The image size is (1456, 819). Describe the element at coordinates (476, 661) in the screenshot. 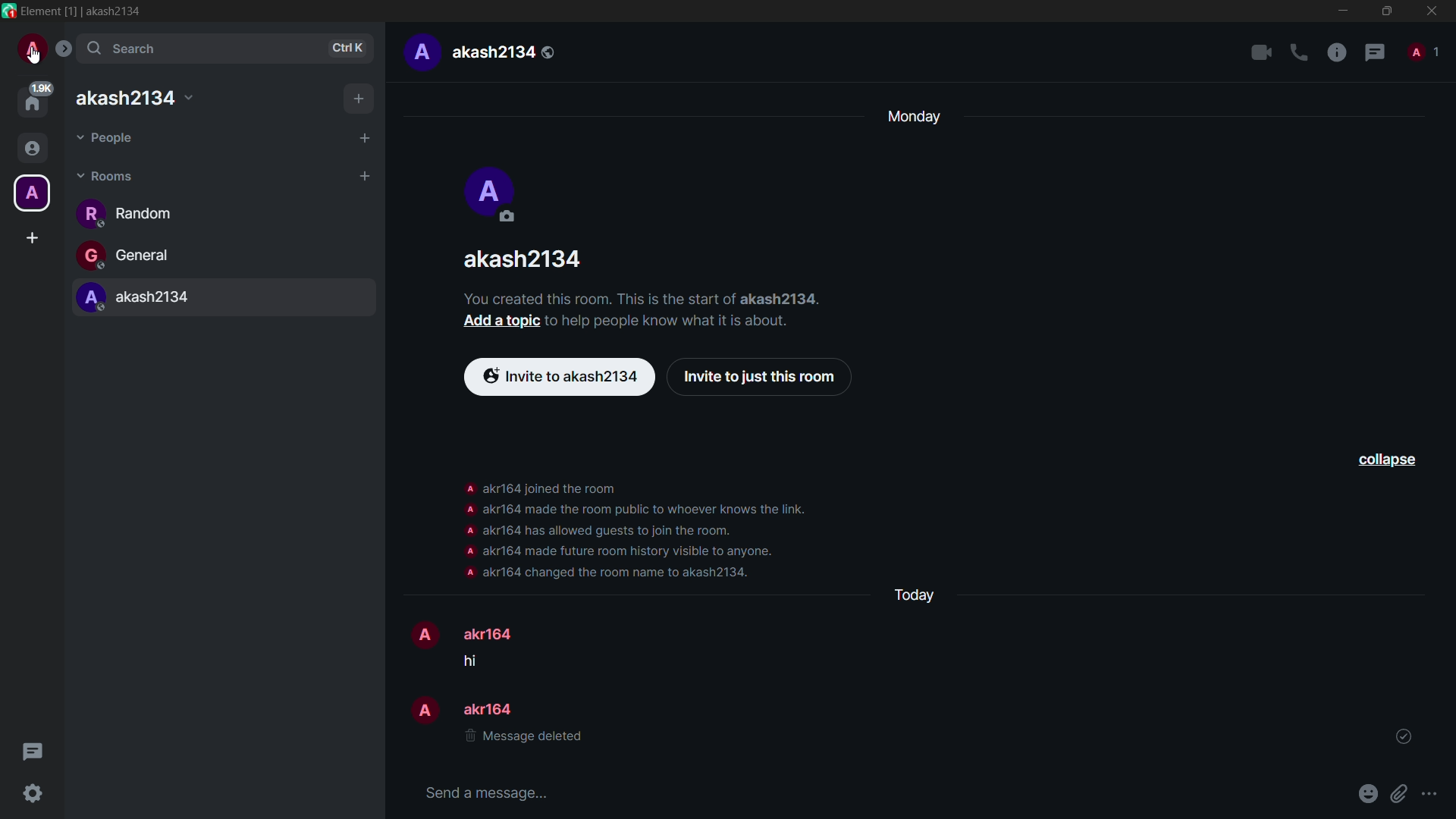

I see `message` at that location.